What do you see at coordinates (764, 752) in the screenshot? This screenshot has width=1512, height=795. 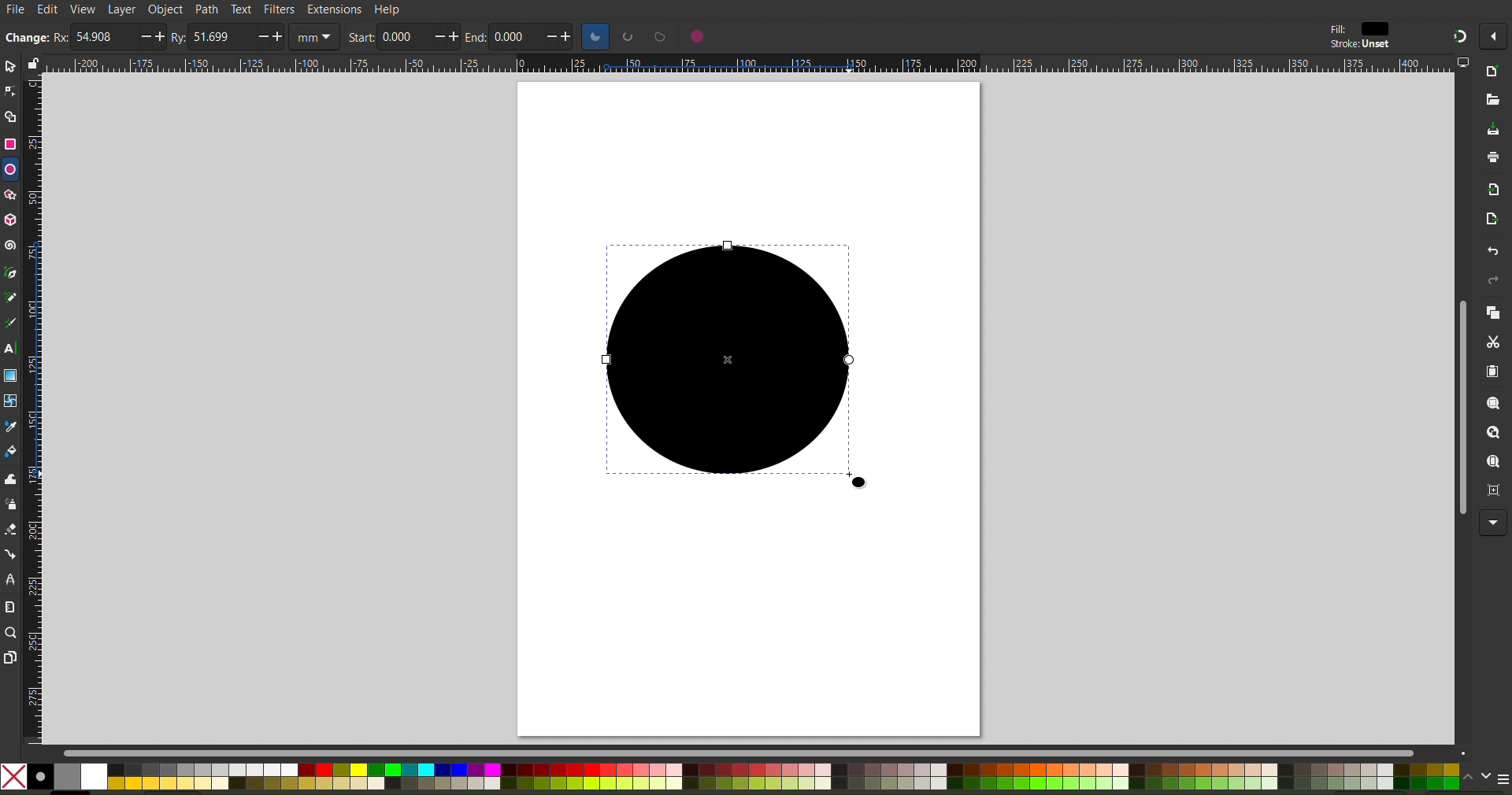 I see `Scrollbar` at bounding box center [764, 752].